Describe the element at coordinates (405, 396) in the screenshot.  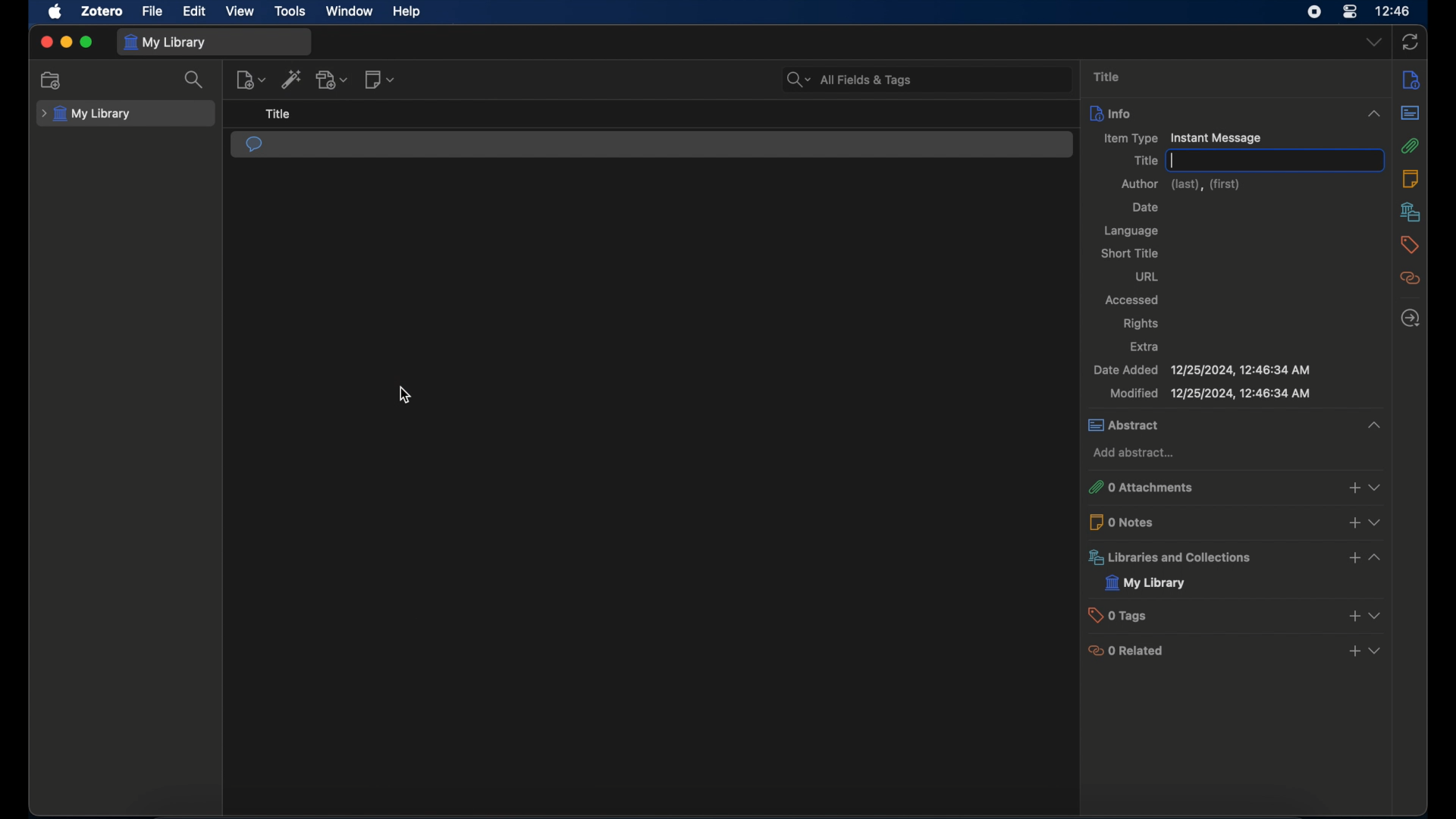
I see `curso` at that location.